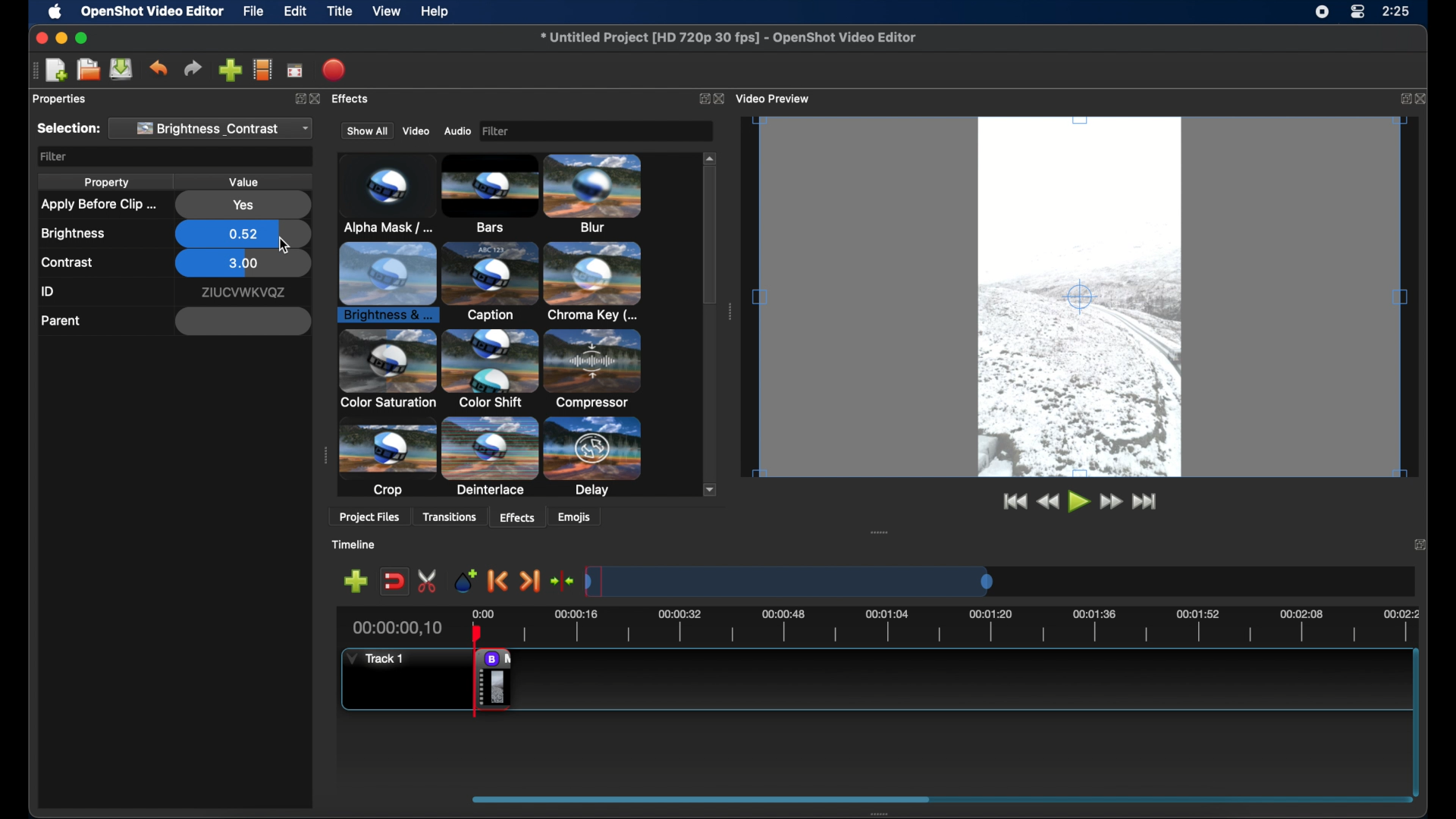  What do you see at coordinates (215, 128) in the screenshot?
I see `brightness and contrast dropdown` at bounding box center [215, 128].